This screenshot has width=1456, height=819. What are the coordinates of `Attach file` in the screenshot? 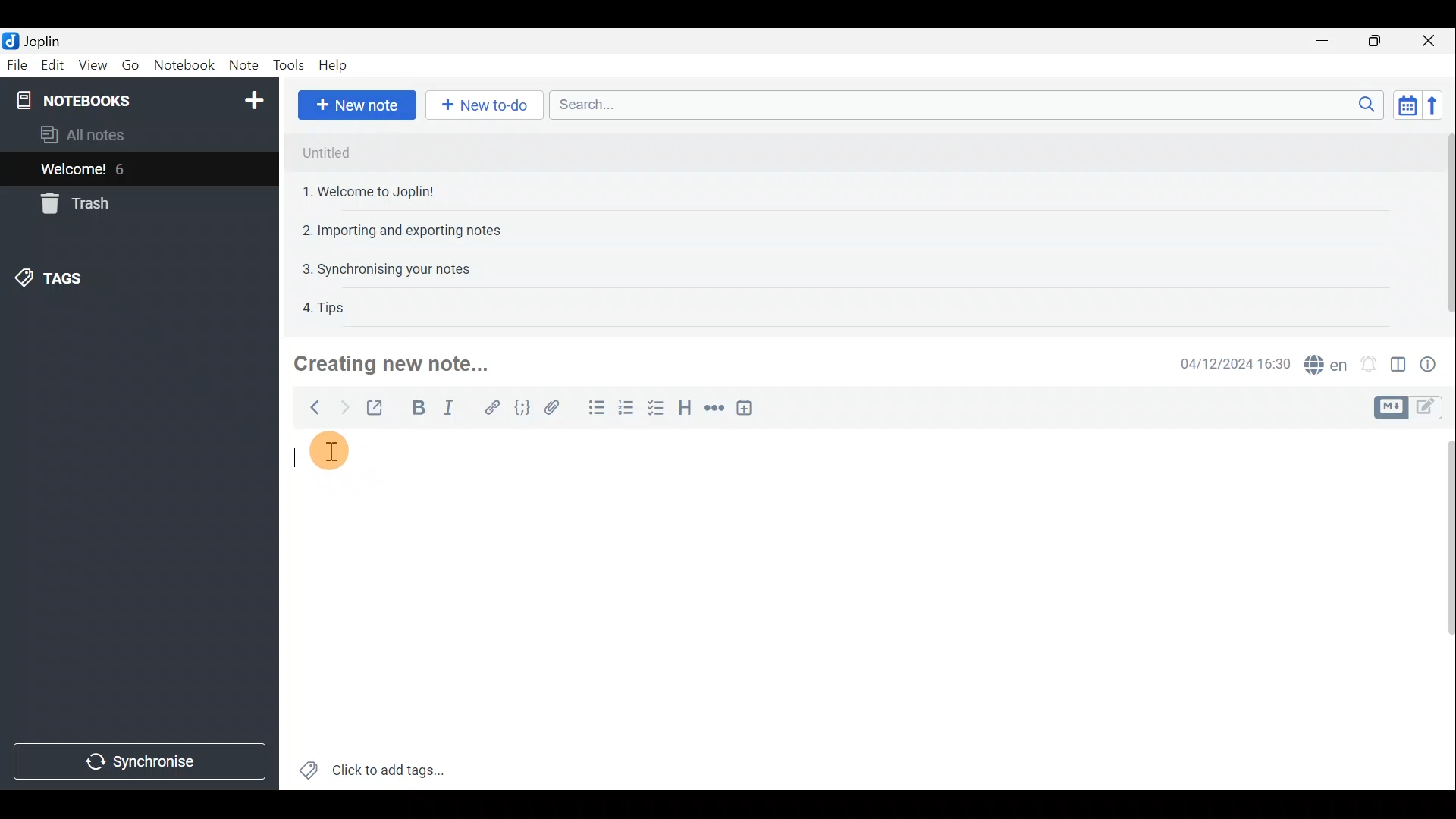 It's located at (559, 408).